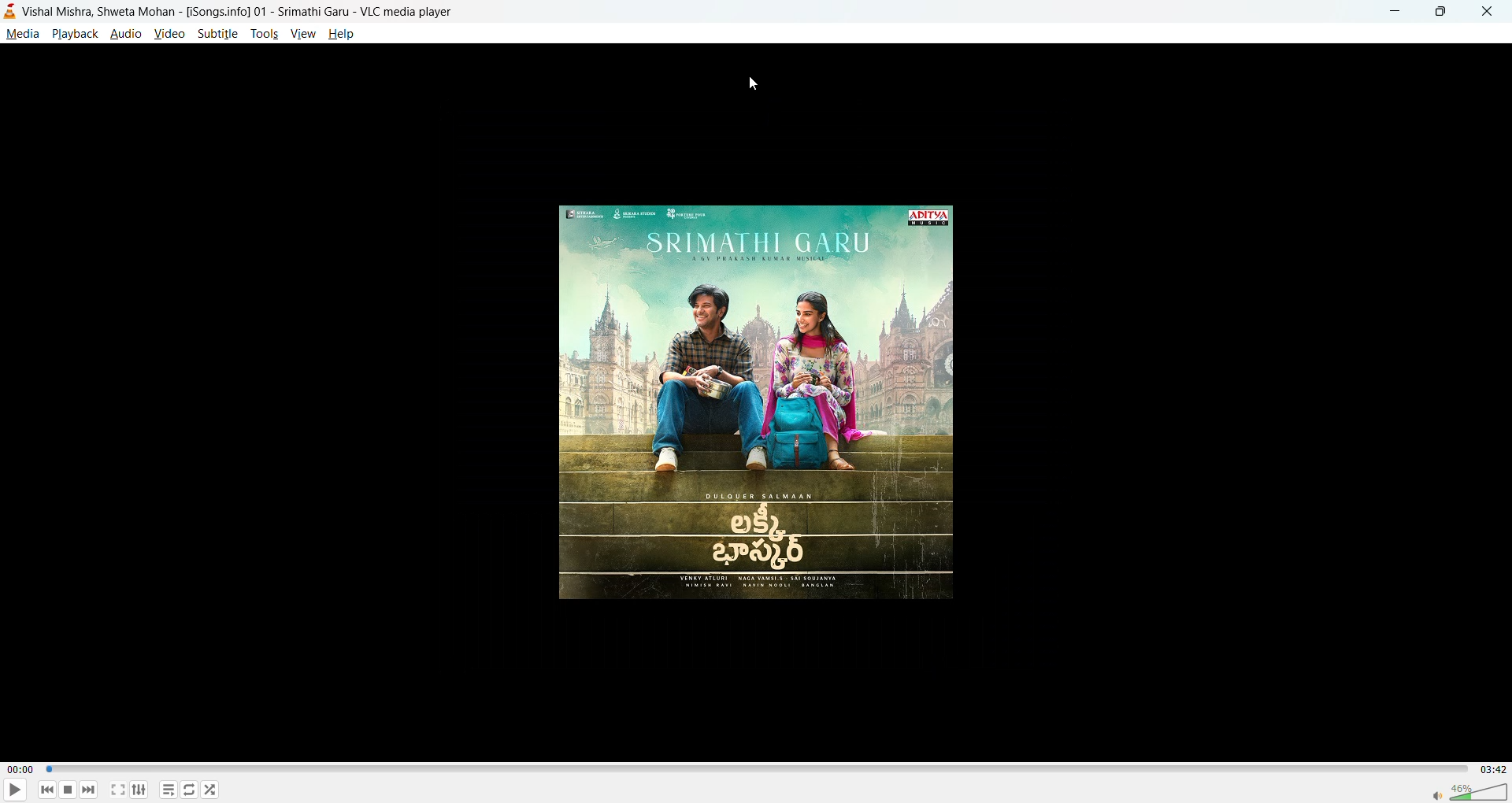 The width and height of the screenshot is (1512, 803). What do you see at coordinates (1482, 12) in the screenshot?
I see `close` at bounding box center [1482, 12].